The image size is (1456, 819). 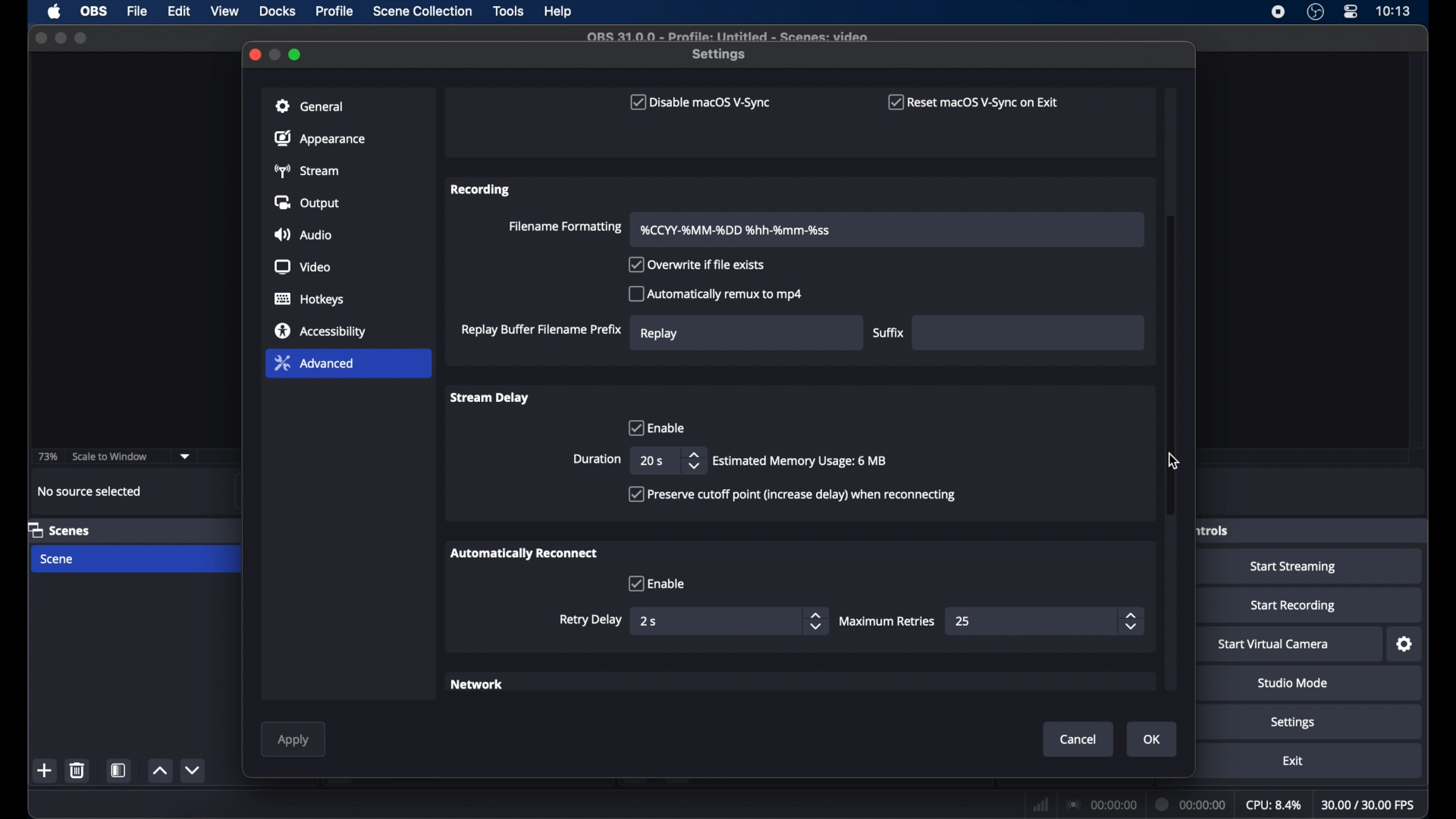 I want to click on view, so click(x=226, y=11).